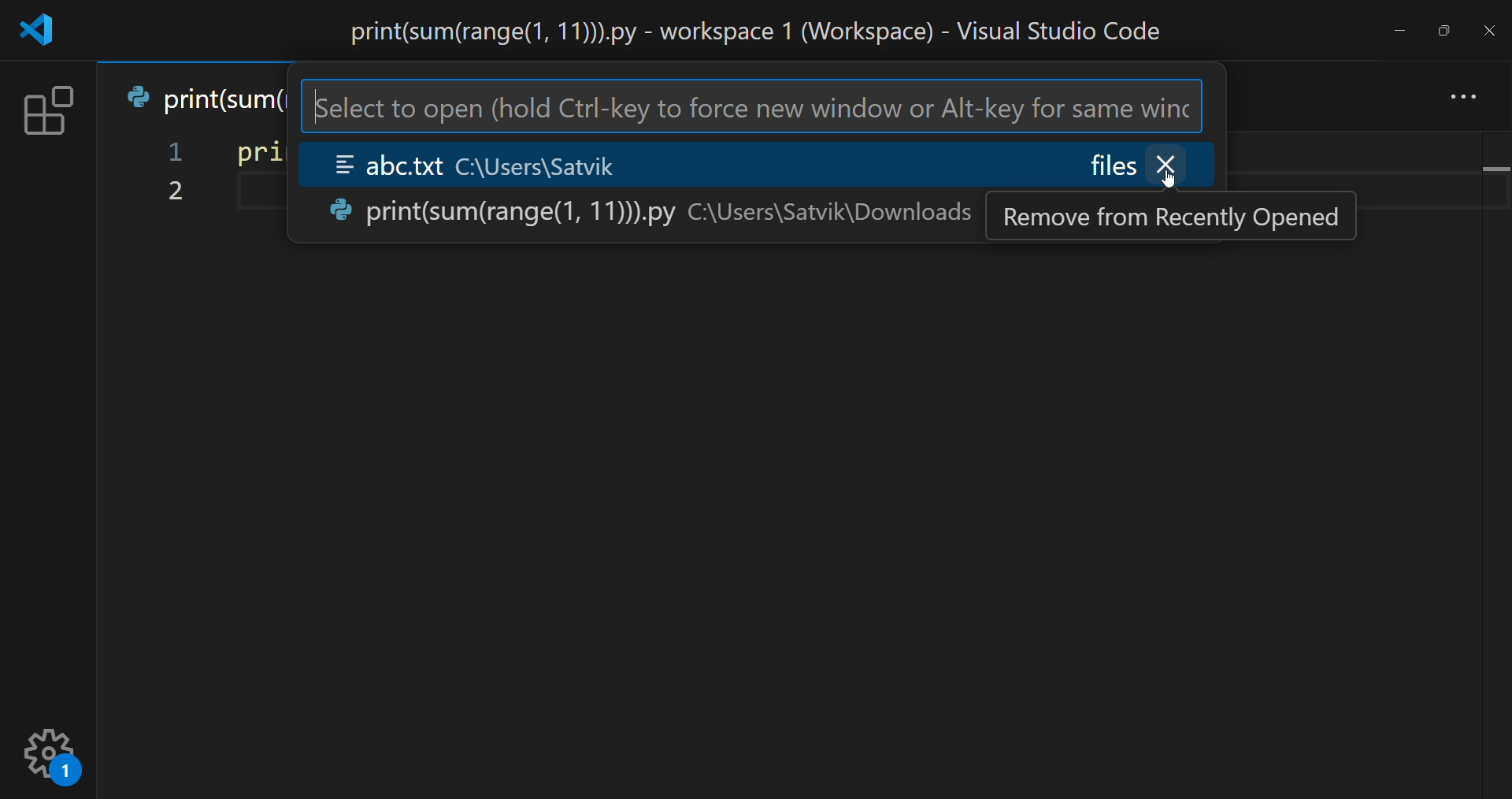  I want to click on abc.txt C:\Users\Satvik, so click(510, 162).